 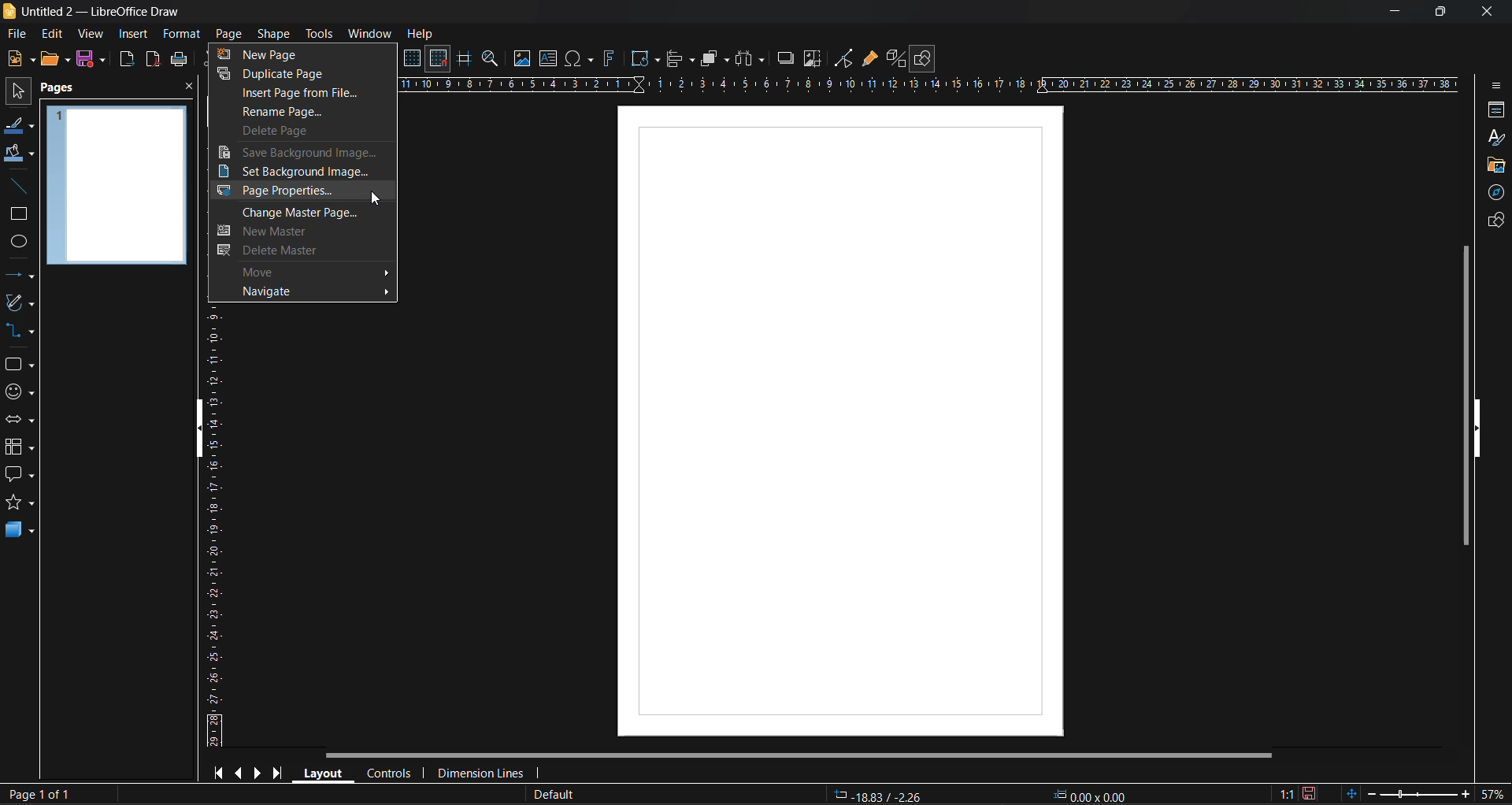 What do you see at coordinates (520, 59) in the screenshot?
I see `image` at bounding box center [520, 59].